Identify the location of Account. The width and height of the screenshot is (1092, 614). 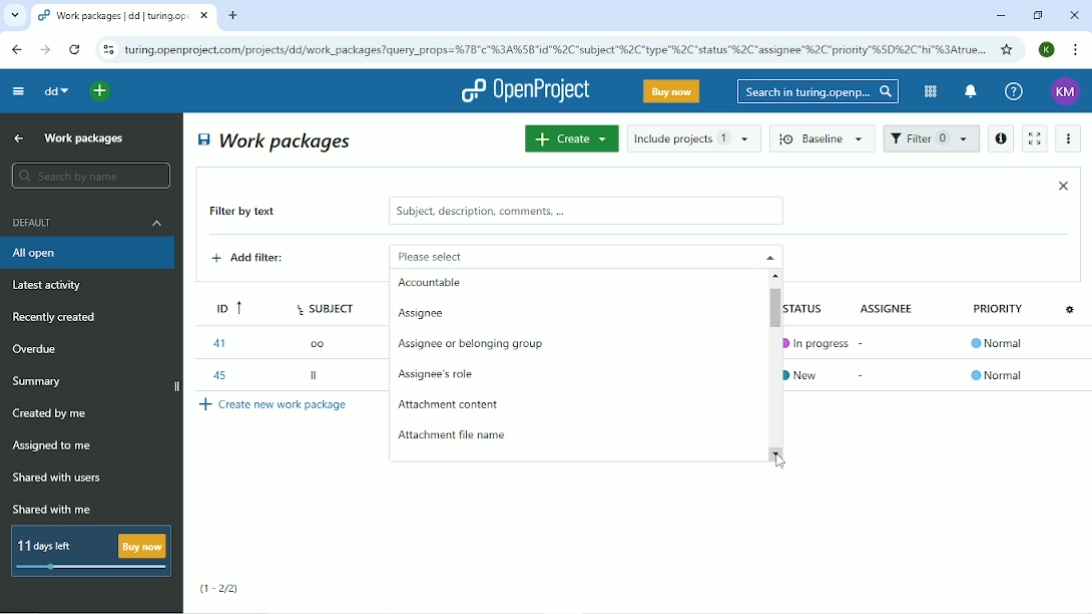
(1048, 49).